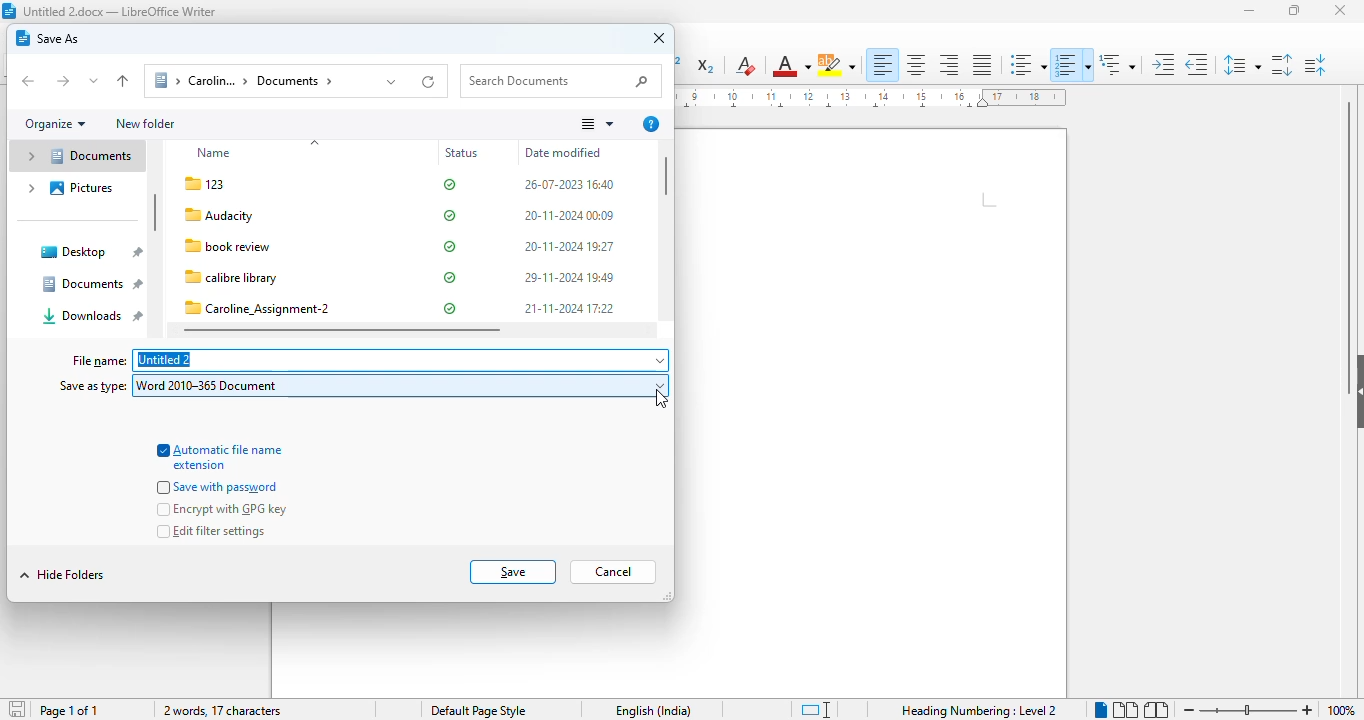 The image size is (1364, 720). I want to click on up to "personal", so click(122, 81).